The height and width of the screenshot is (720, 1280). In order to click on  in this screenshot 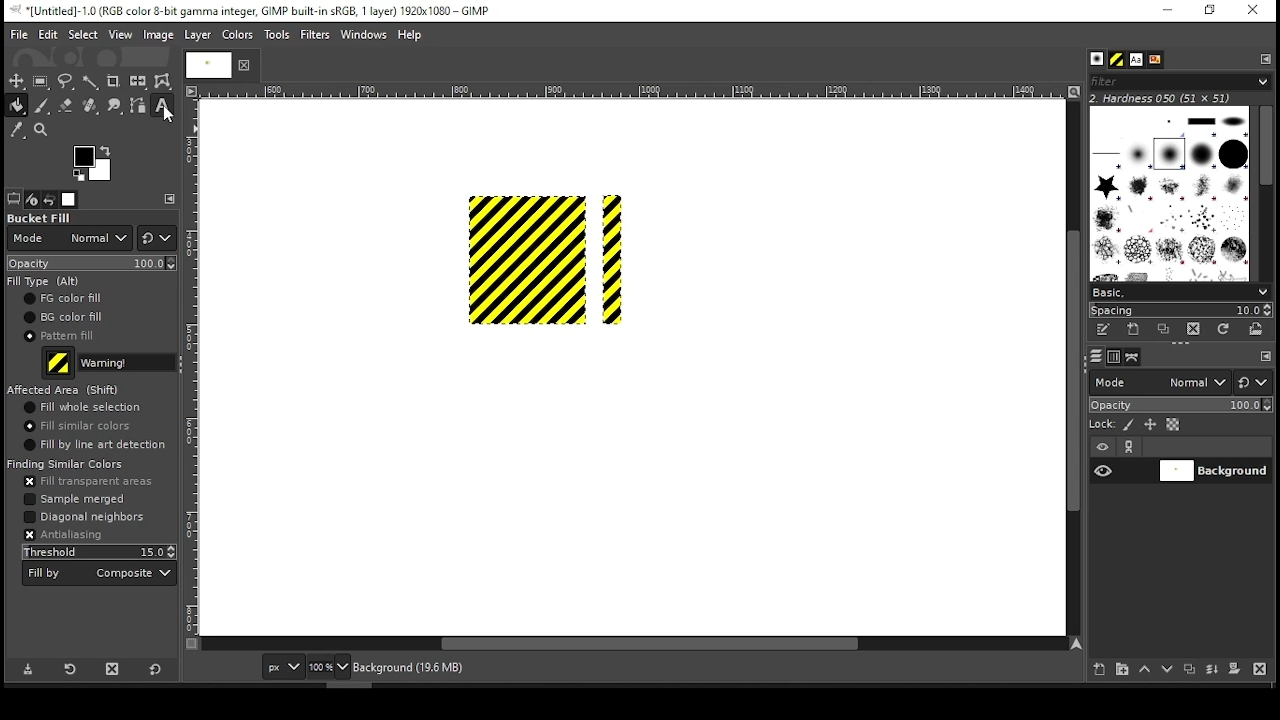, I will do `click(193, 367)`.